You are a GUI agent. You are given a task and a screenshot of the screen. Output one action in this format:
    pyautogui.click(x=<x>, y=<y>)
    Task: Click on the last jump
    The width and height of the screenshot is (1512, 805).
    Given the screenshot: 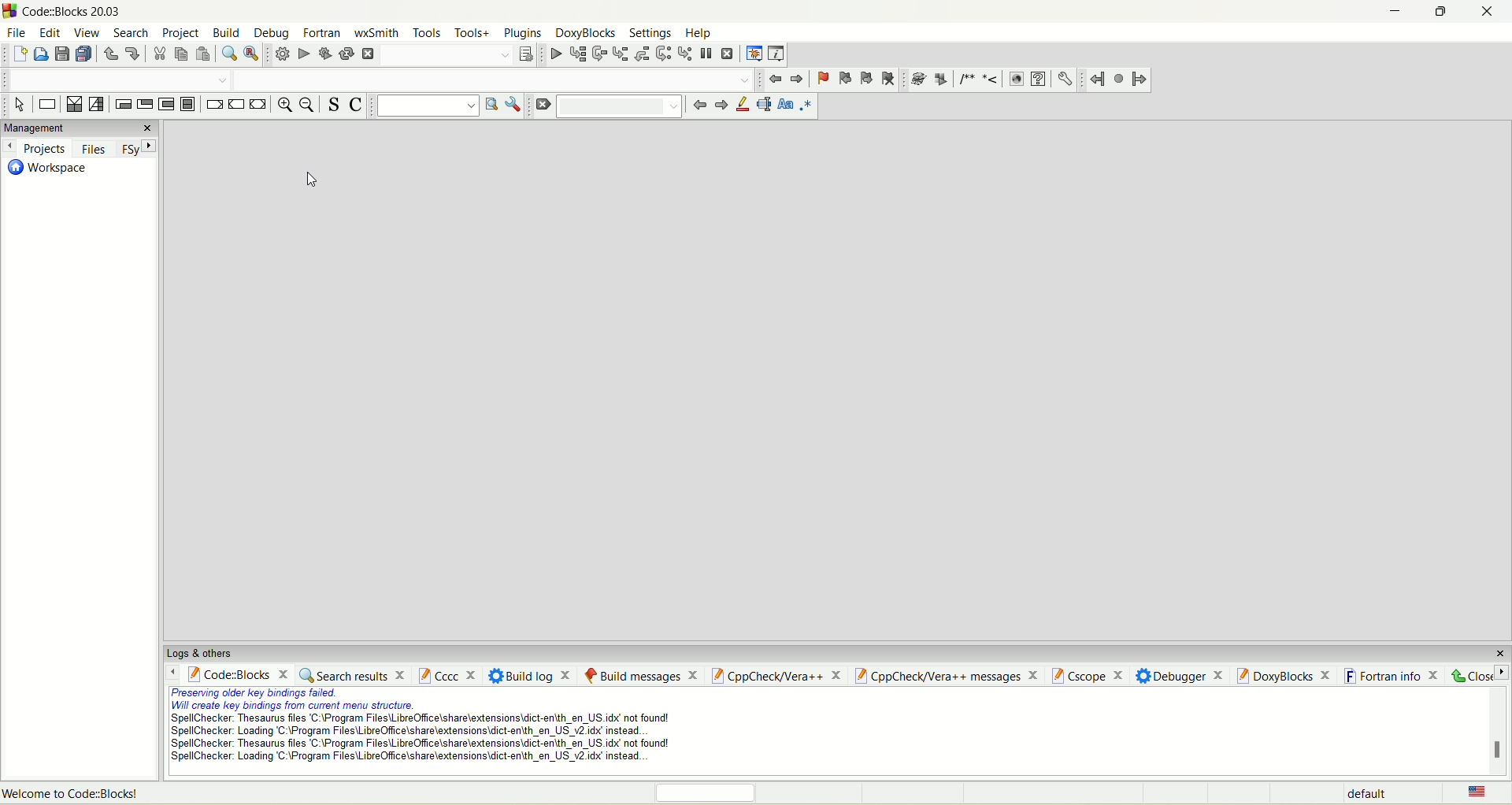 What is the action you would take?
    pyautogui.click(x=1117, y=78)
    